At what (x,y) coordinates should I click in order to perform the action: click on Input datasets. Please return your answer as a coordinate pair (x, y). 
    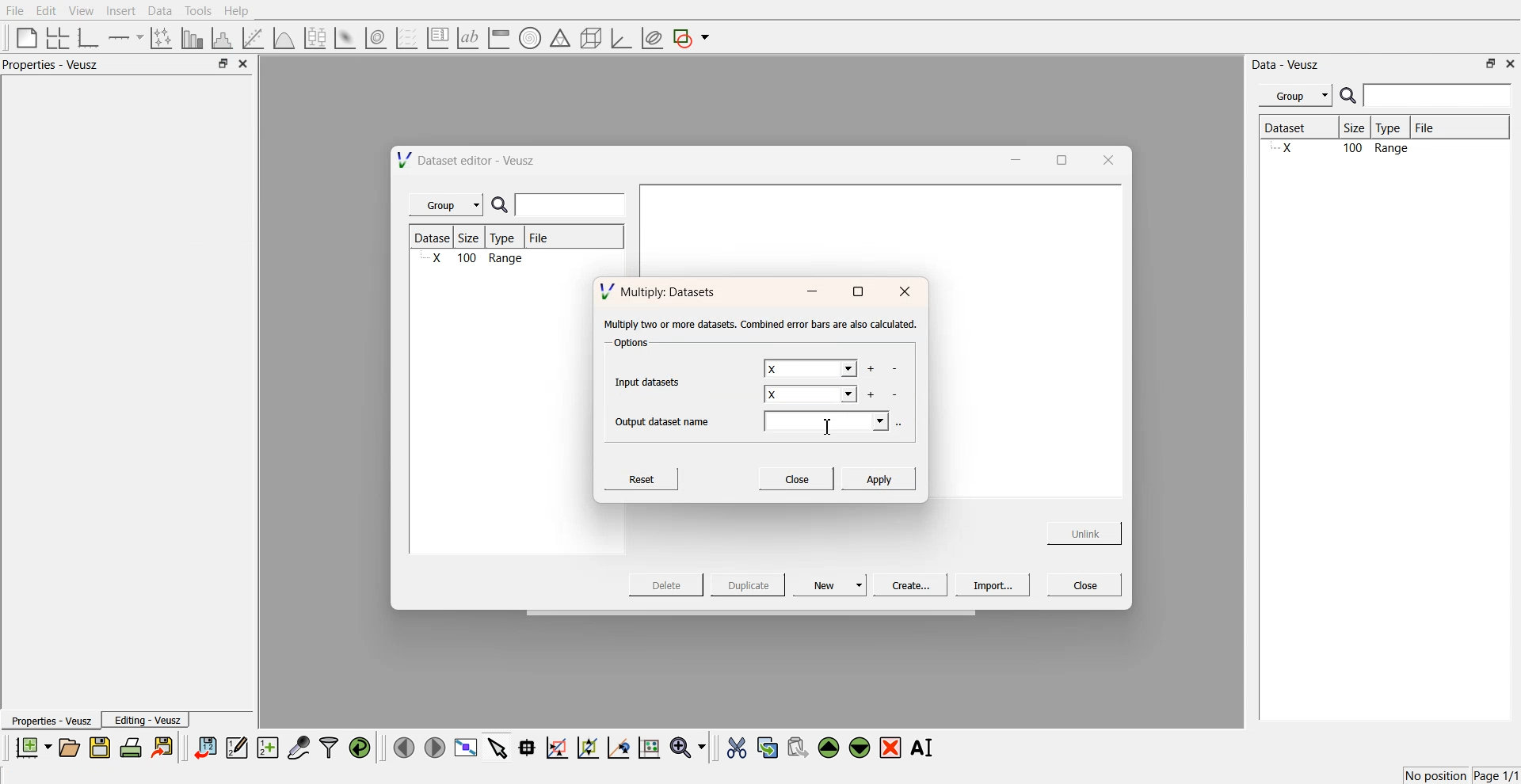
    Looking at the image, I should click on (651, 380).